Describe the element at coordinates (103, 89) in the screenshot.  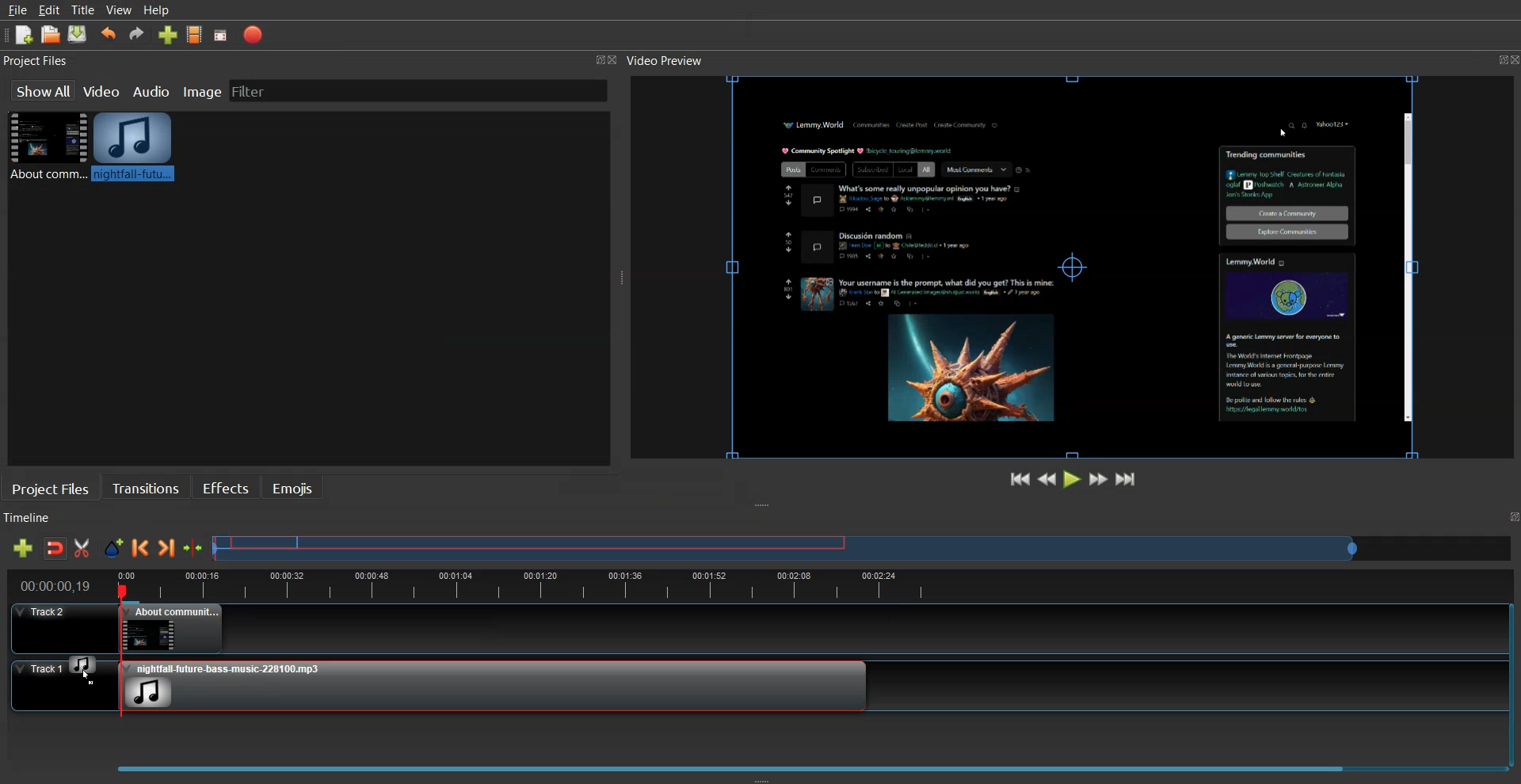
I see `Video` at that location.